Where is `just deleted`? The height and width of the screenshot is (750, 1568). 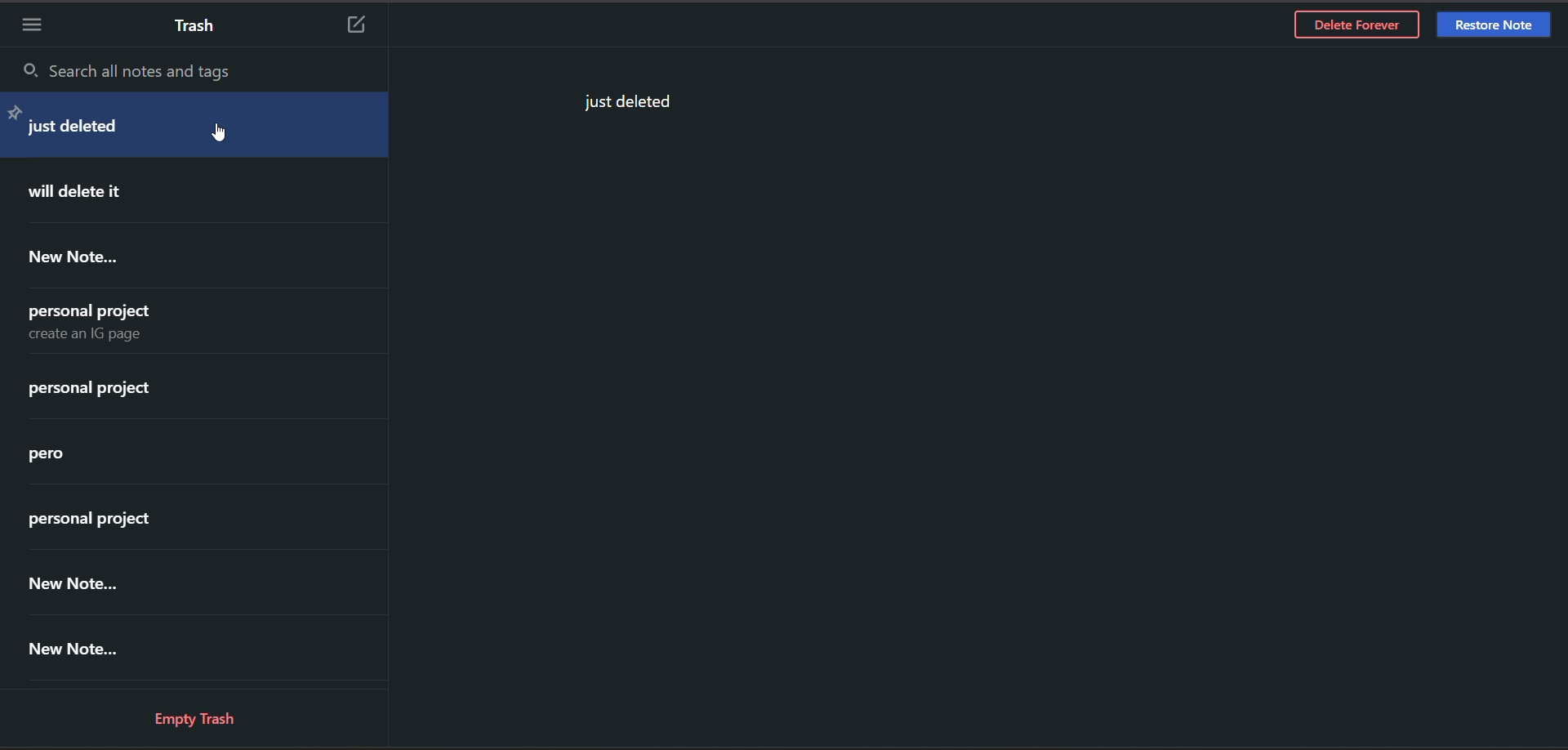
just deleted is located at coordinates (623, 103).